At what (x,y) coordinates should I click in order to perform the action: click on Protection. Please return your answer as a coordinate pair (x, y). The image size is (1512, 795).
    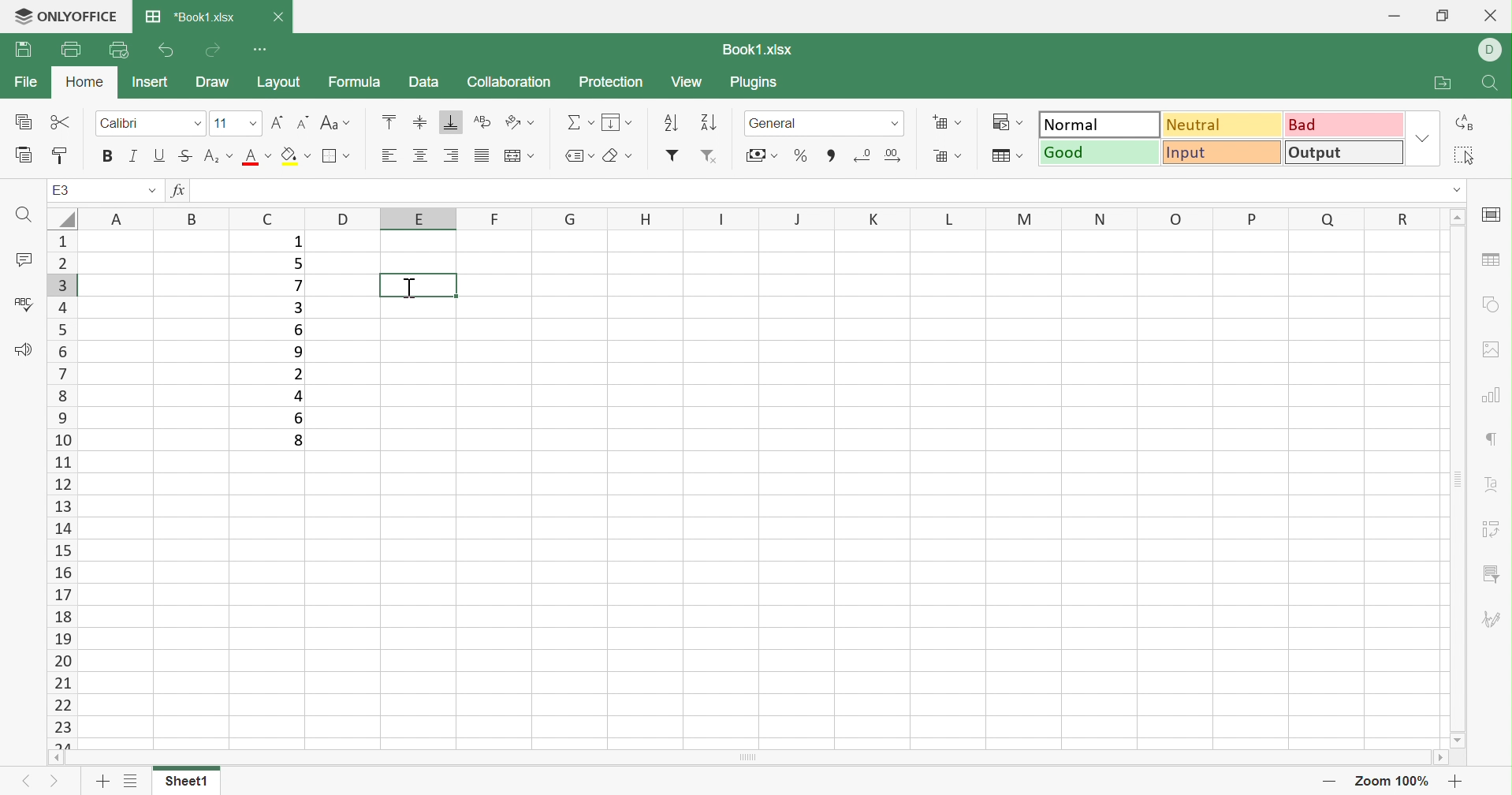
    Looking at the image, I should click on (612, 83).